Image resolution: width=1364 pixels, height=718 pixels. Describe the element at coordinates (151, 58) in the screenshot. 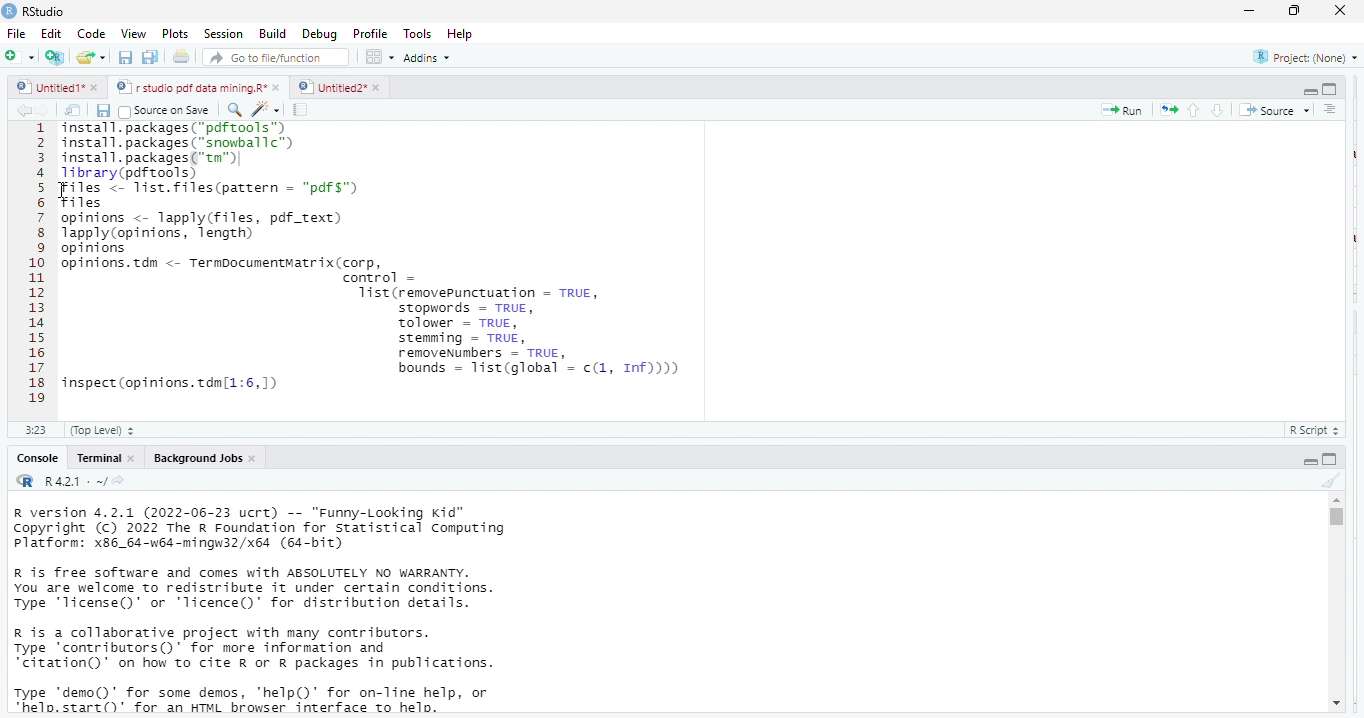

I see `save all open documents` at that location.